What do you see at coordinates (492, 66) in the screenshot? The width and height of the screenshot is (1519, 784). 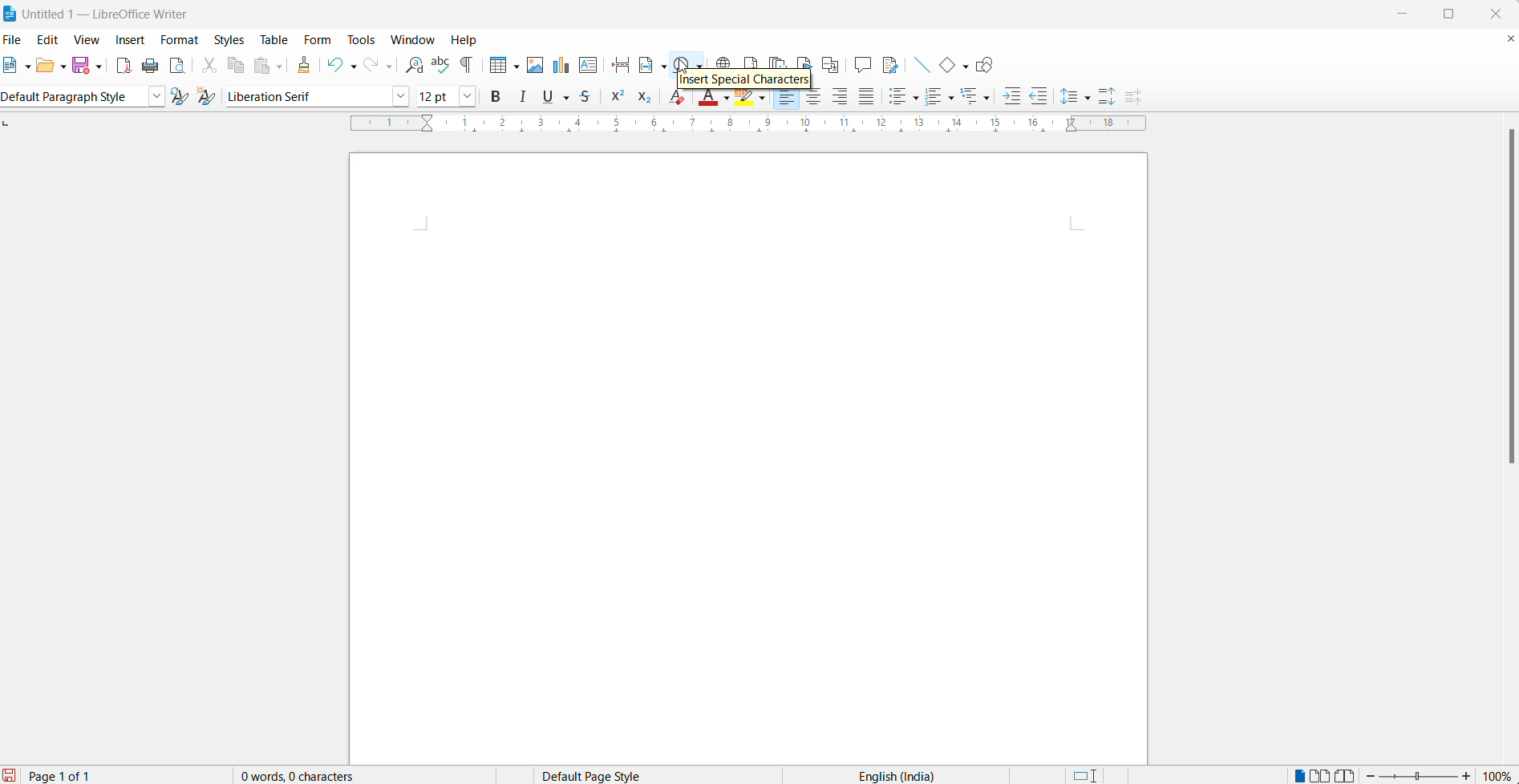 I see `insert table` at bounding box center [492, 66].